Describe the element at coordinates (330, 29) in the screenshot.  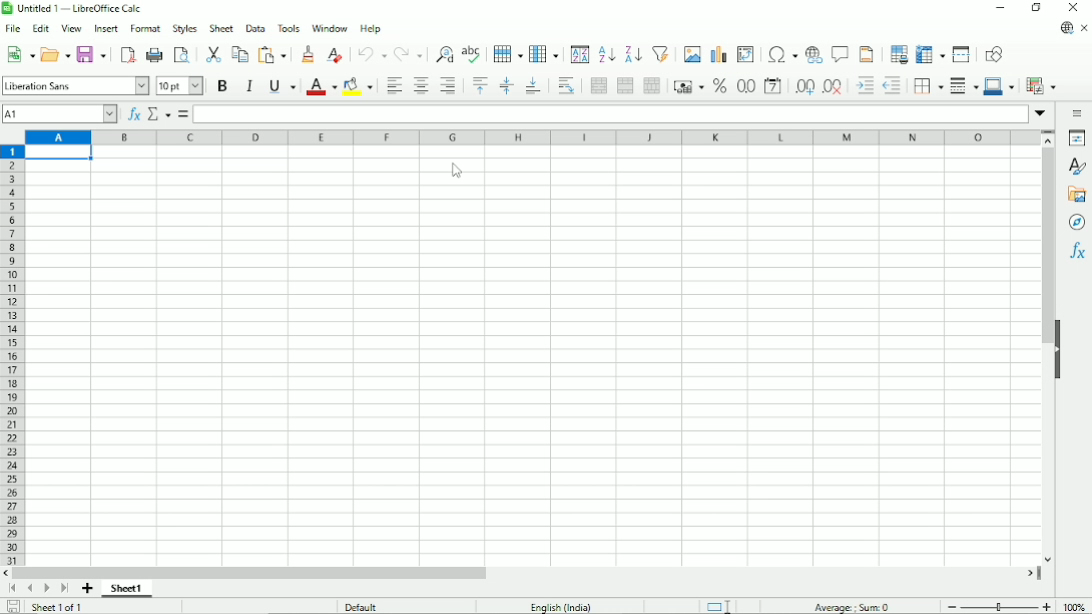
I see `Window` at that location.